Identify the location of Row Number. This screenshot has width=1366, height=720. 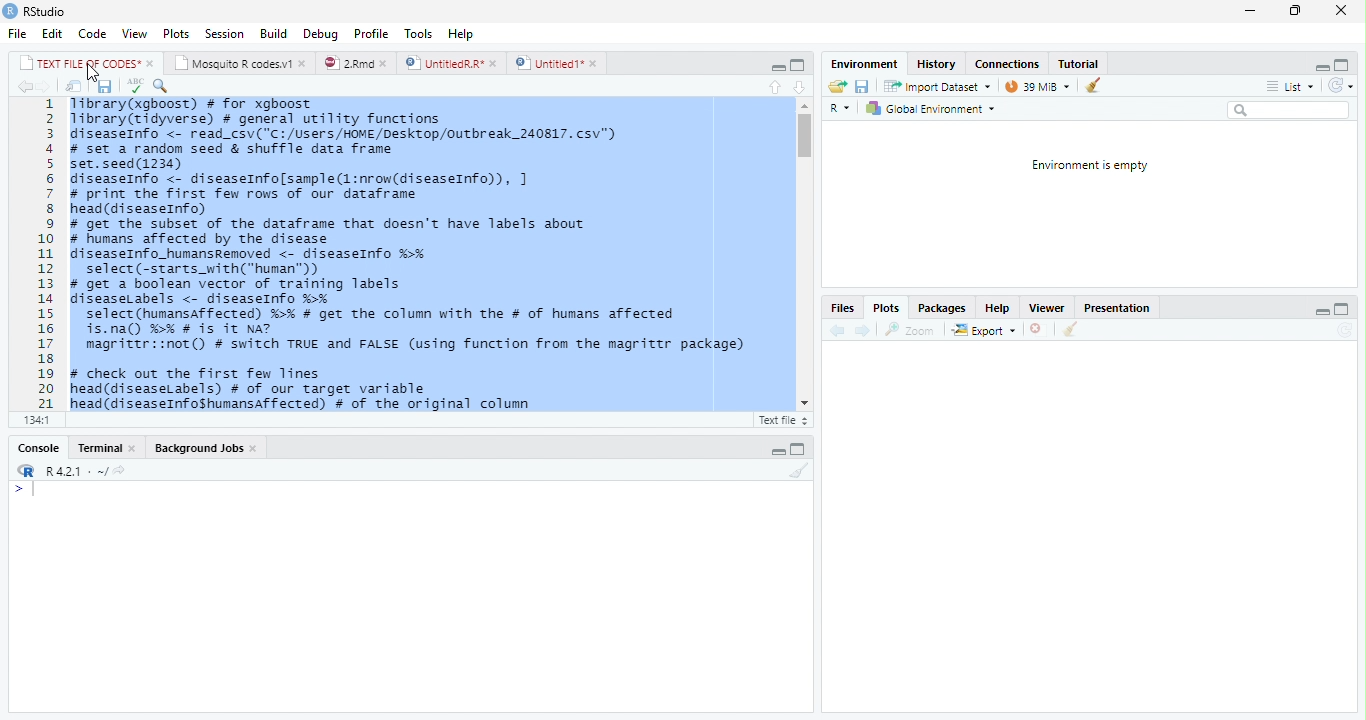
(39, 255).